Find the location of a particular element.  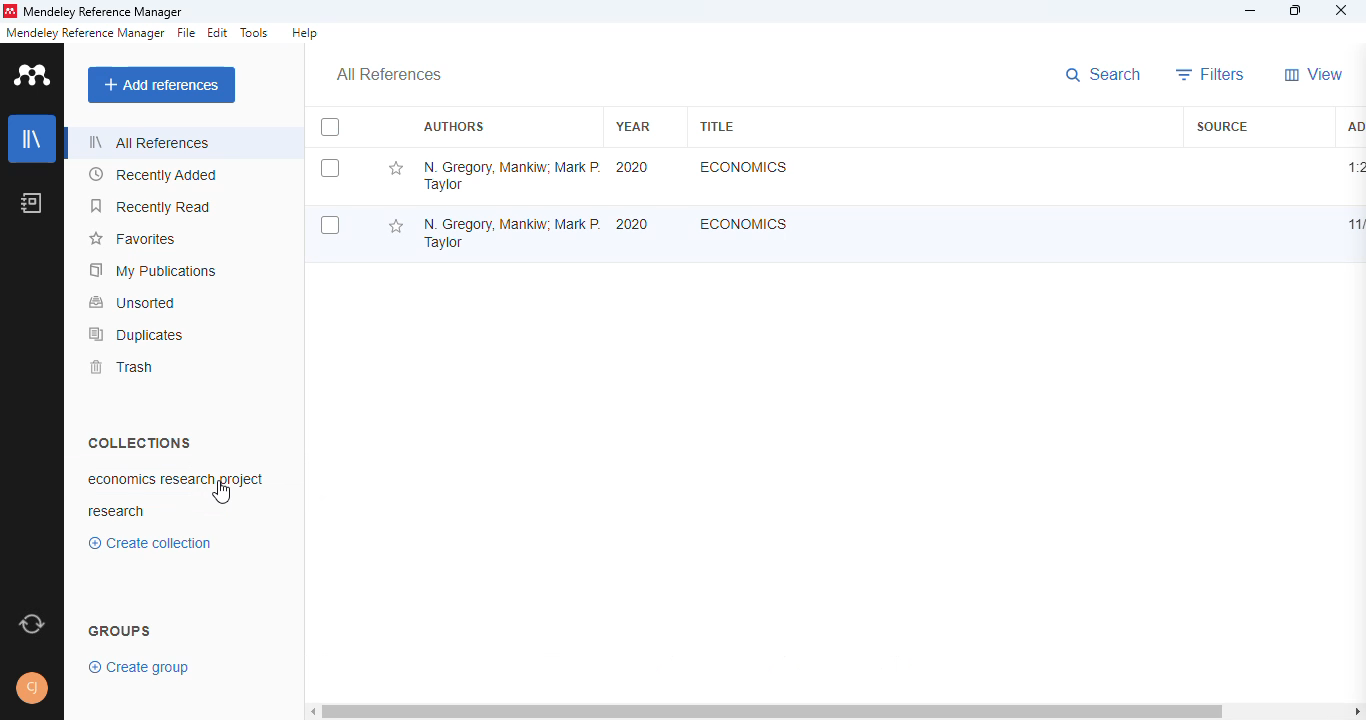

mendeley reference manager is located at coordinates (103, 13).